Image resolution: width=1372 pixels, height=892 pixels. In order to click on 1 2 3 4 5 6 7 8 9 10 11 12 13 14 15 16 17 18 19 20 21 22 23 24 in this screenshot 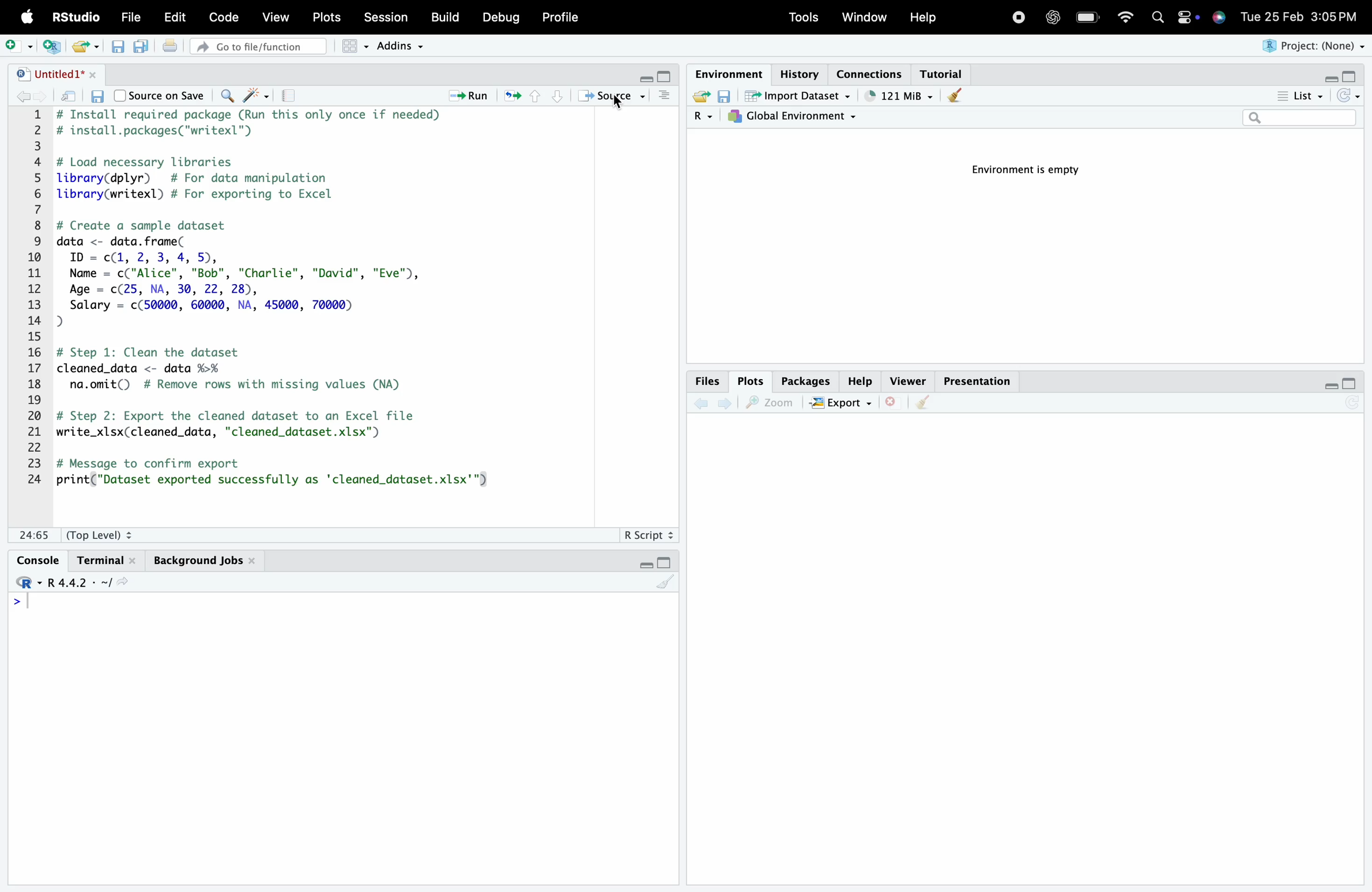, I will do `click(33, 300)`.